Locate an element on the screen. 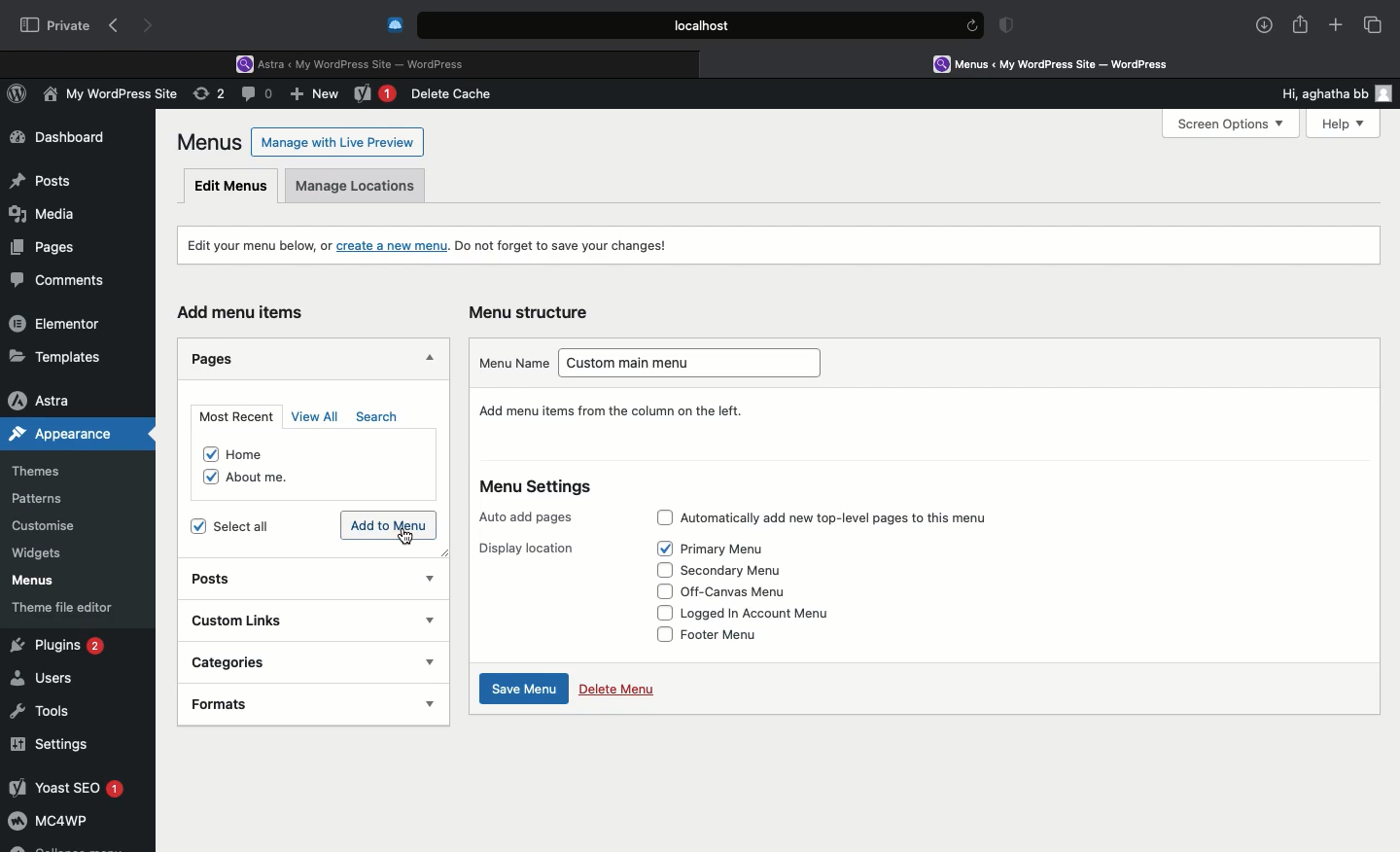 This screenshot has width=1400, height=852. Elementor is located at coordinates (58, 323).